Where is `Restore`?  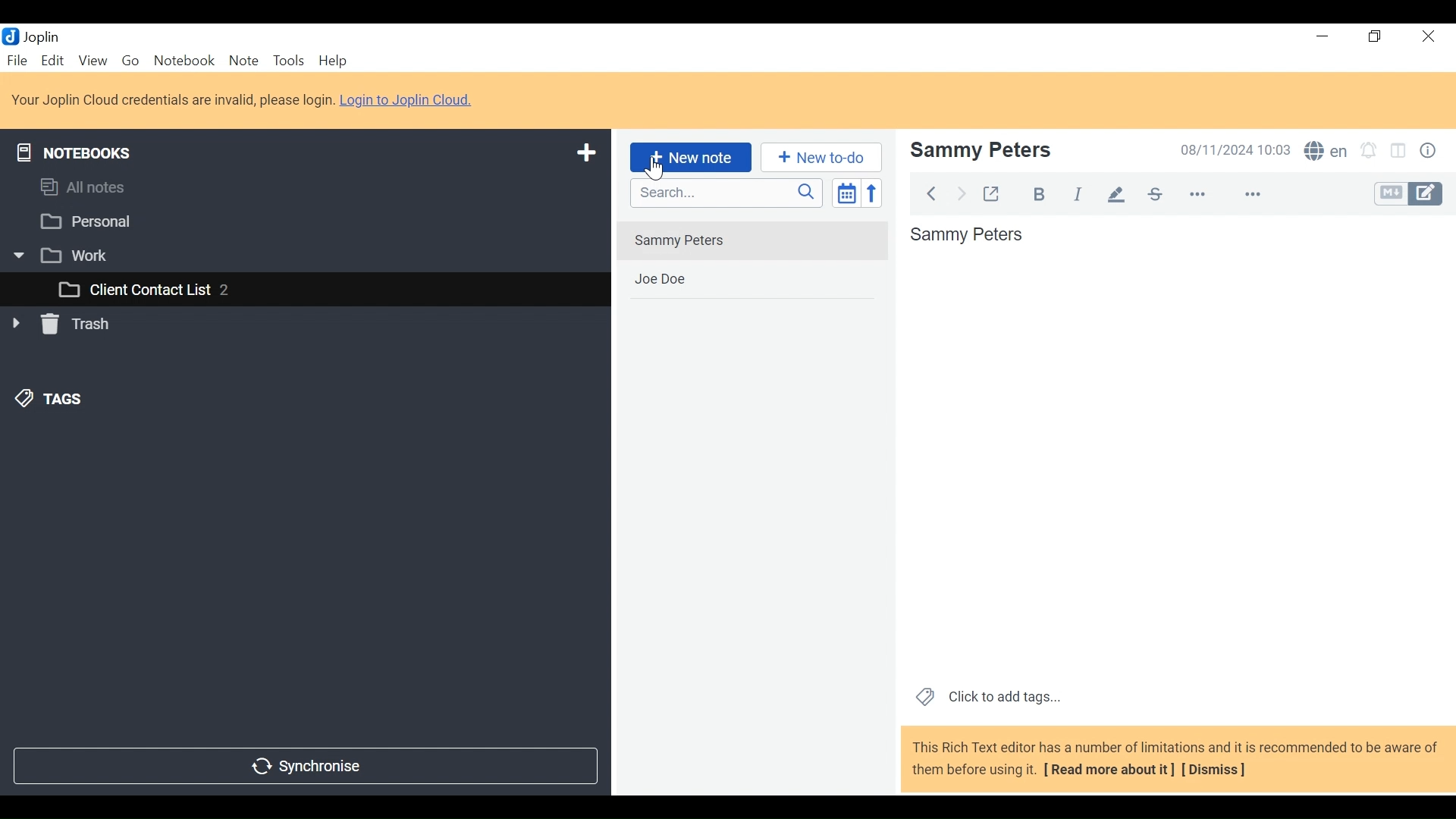
Restore is located at coordinates (1375, 36).